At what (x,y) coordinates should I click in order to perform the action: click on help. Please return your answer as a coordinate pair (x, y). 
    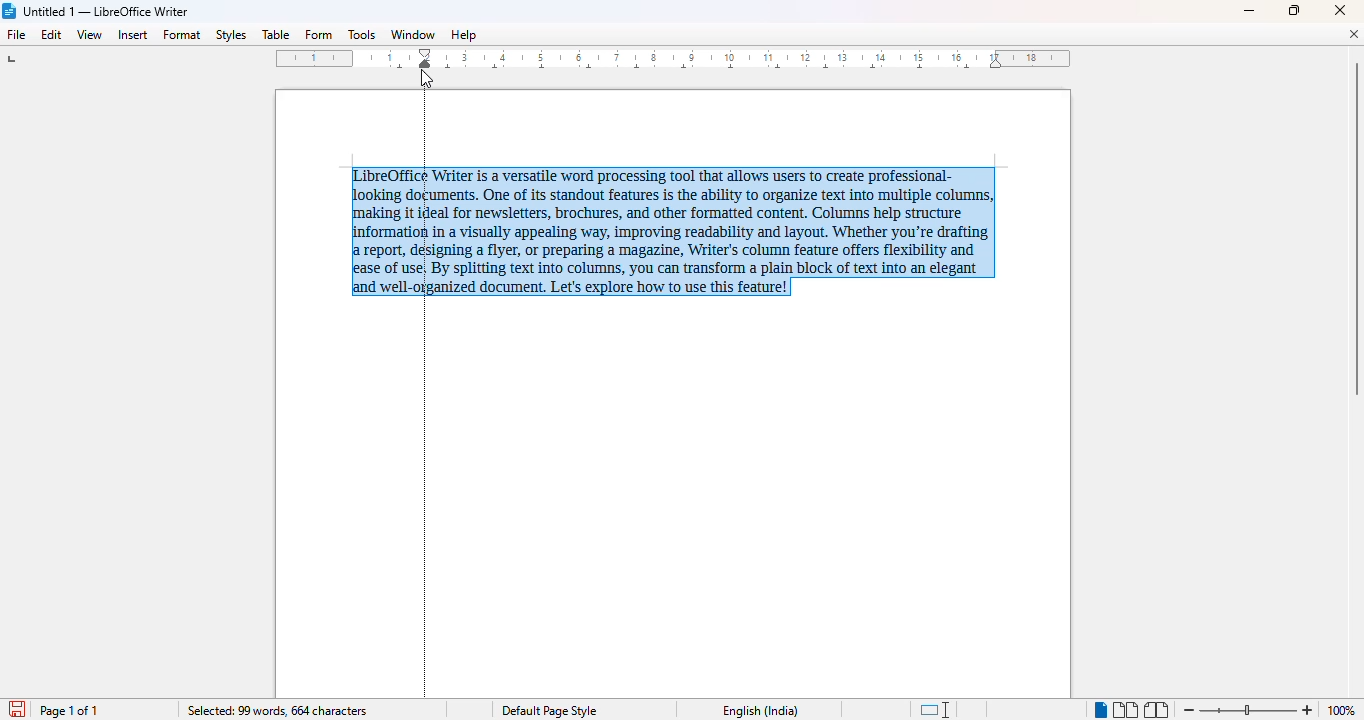
    Looking at the image, I should click on (464, 34).